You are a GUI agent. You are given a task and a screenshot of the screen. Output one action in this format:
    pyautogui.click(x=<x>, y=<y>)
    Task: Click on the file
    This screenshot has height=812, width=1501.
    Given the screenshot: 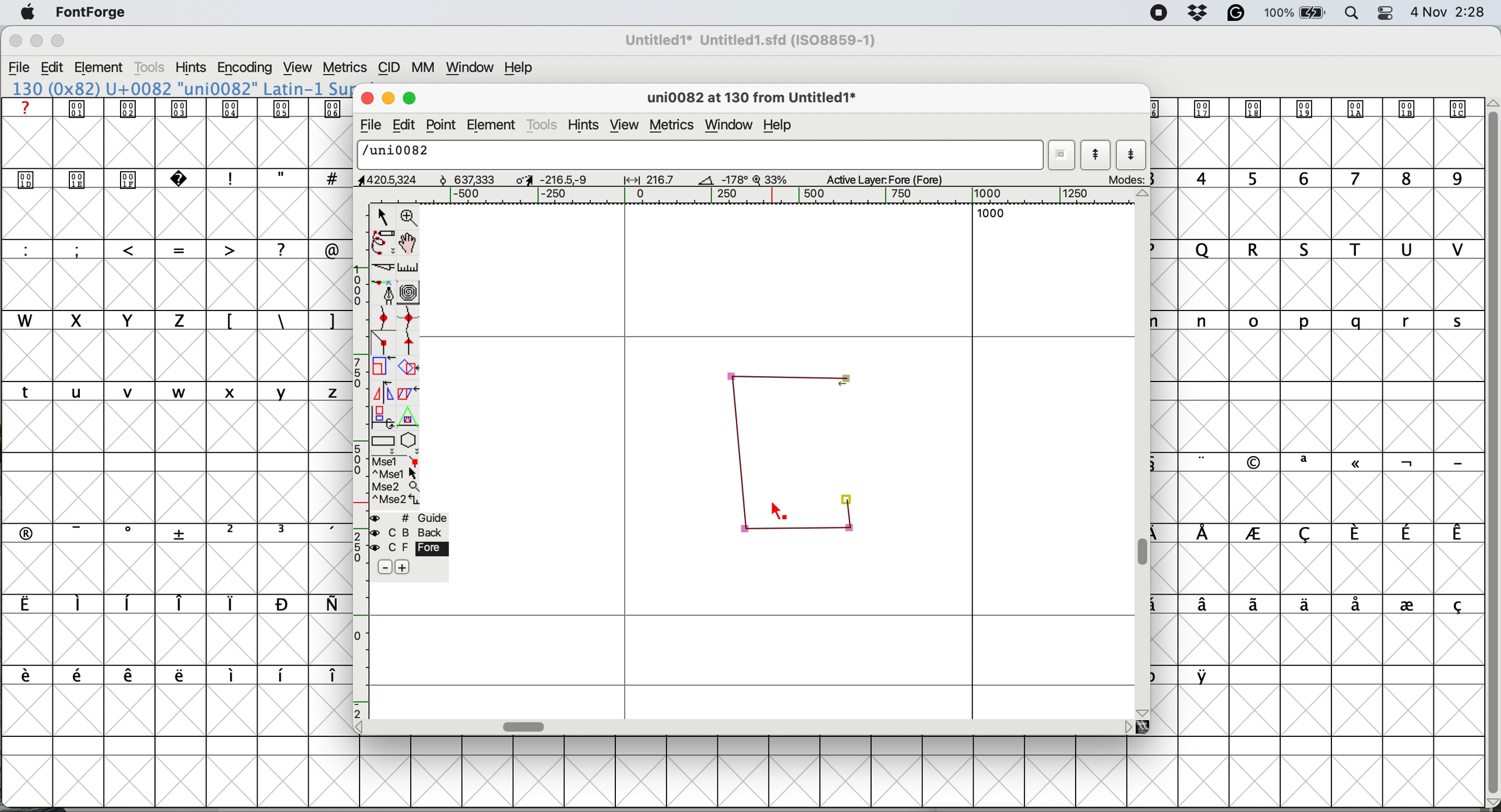 What is the action you would take?
    pyautogui.click(x=369, y=125)
    